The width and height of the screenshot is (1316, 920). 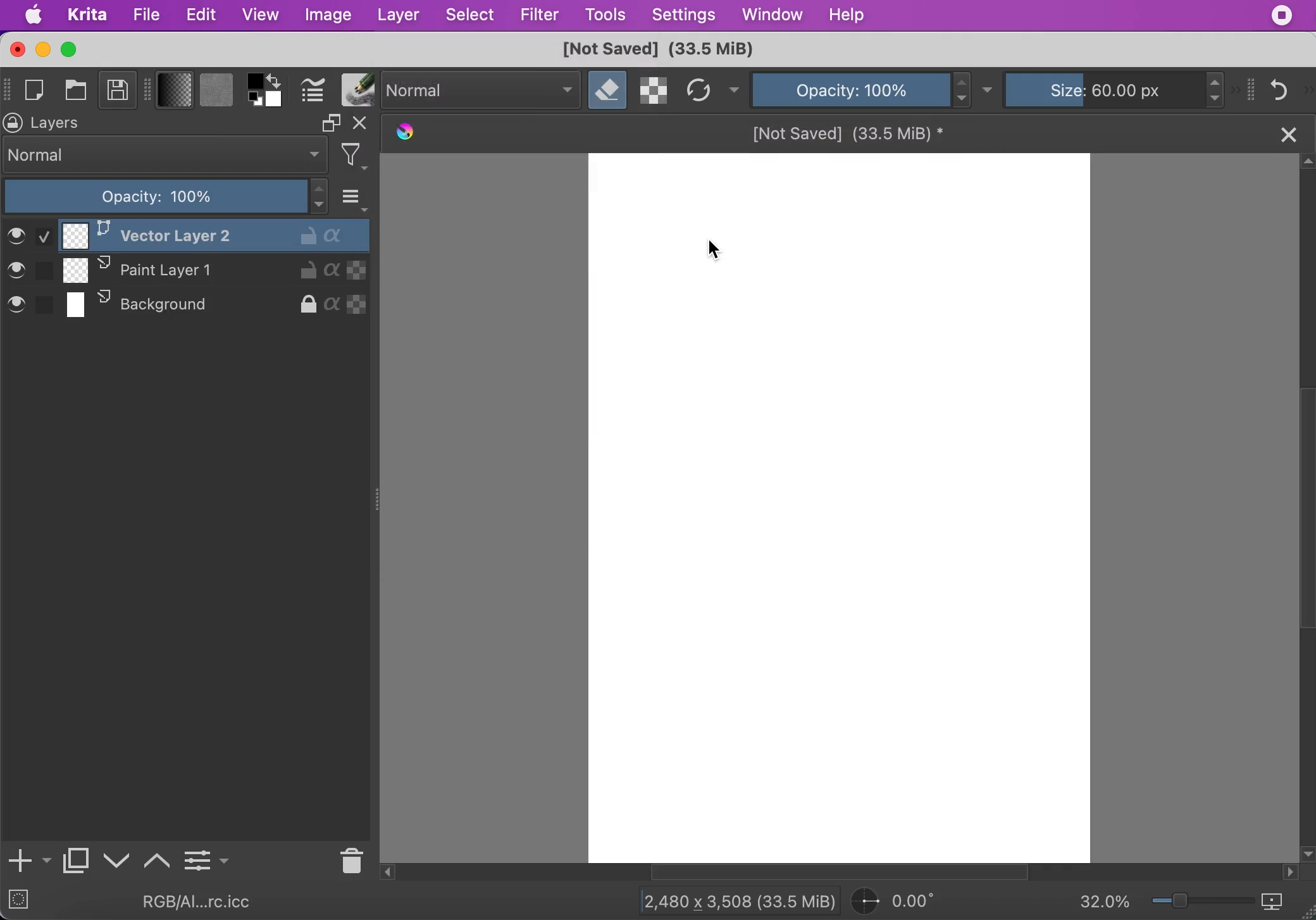 What do you see at coordinates (28, 862) in the screenshot?
I see `add layer or mask` at bounding box center [28, 862].